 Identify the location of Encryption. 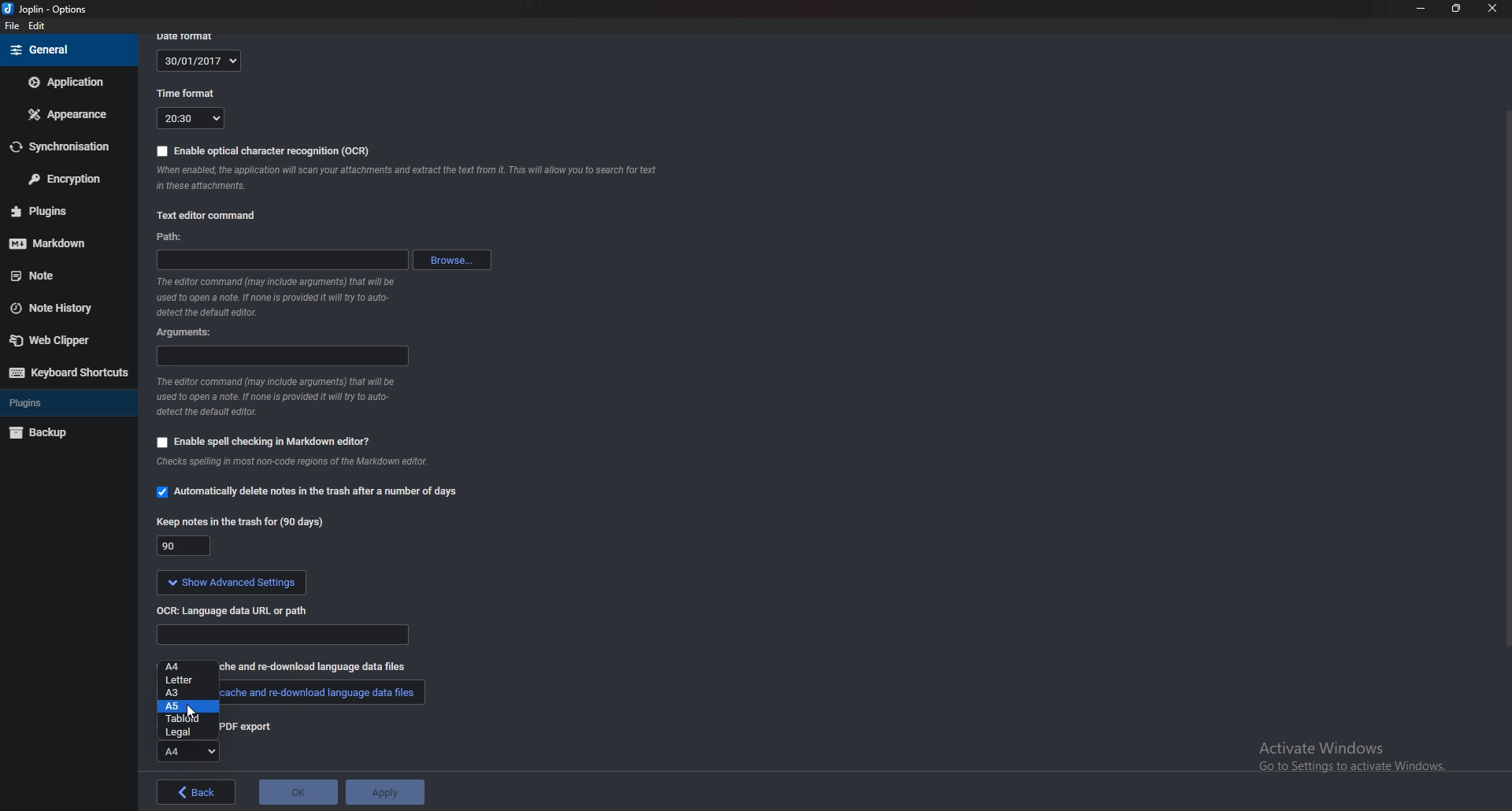
(61, 180).